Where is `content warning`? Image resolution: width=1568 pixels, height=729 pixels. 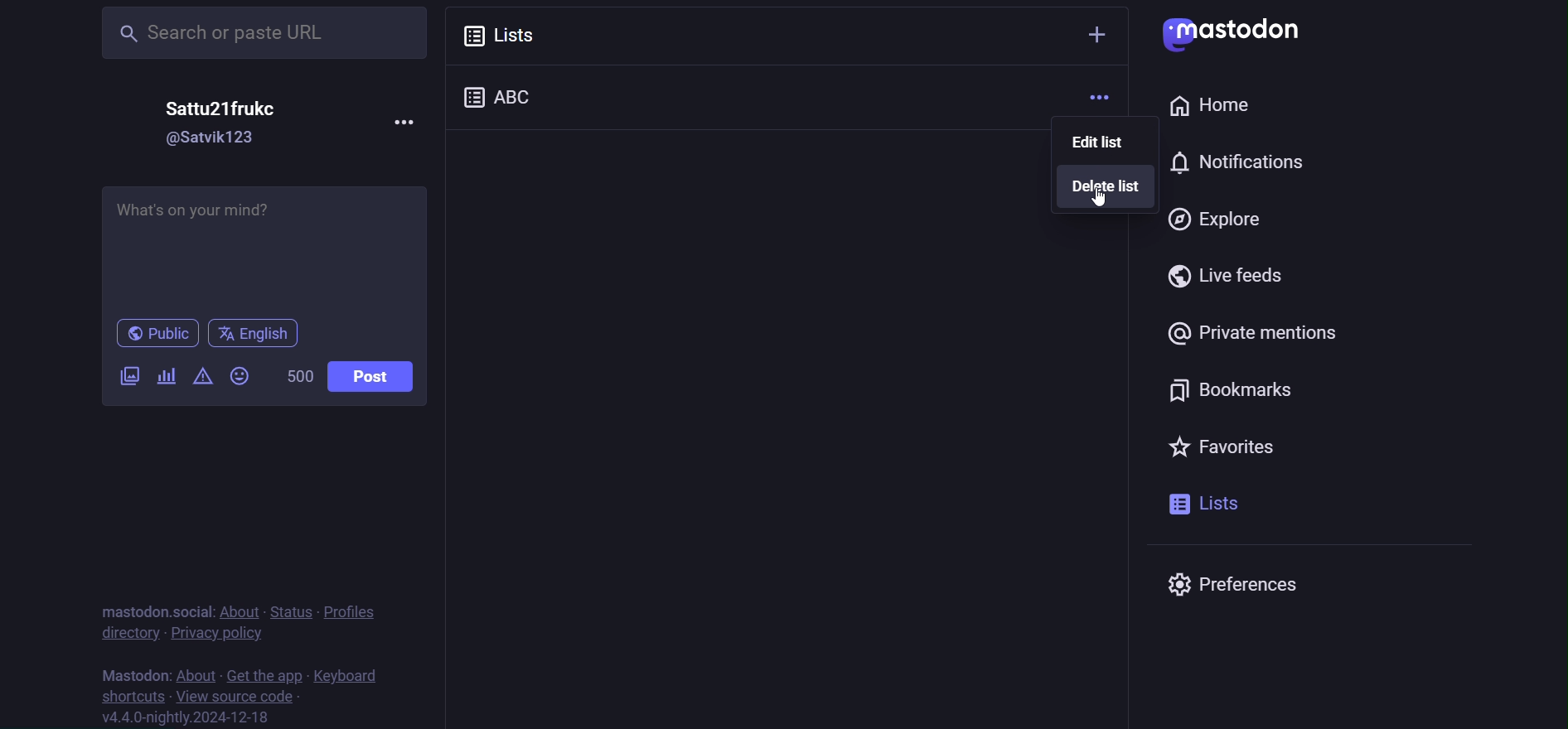 content warning is located at coordinates (202, 375).